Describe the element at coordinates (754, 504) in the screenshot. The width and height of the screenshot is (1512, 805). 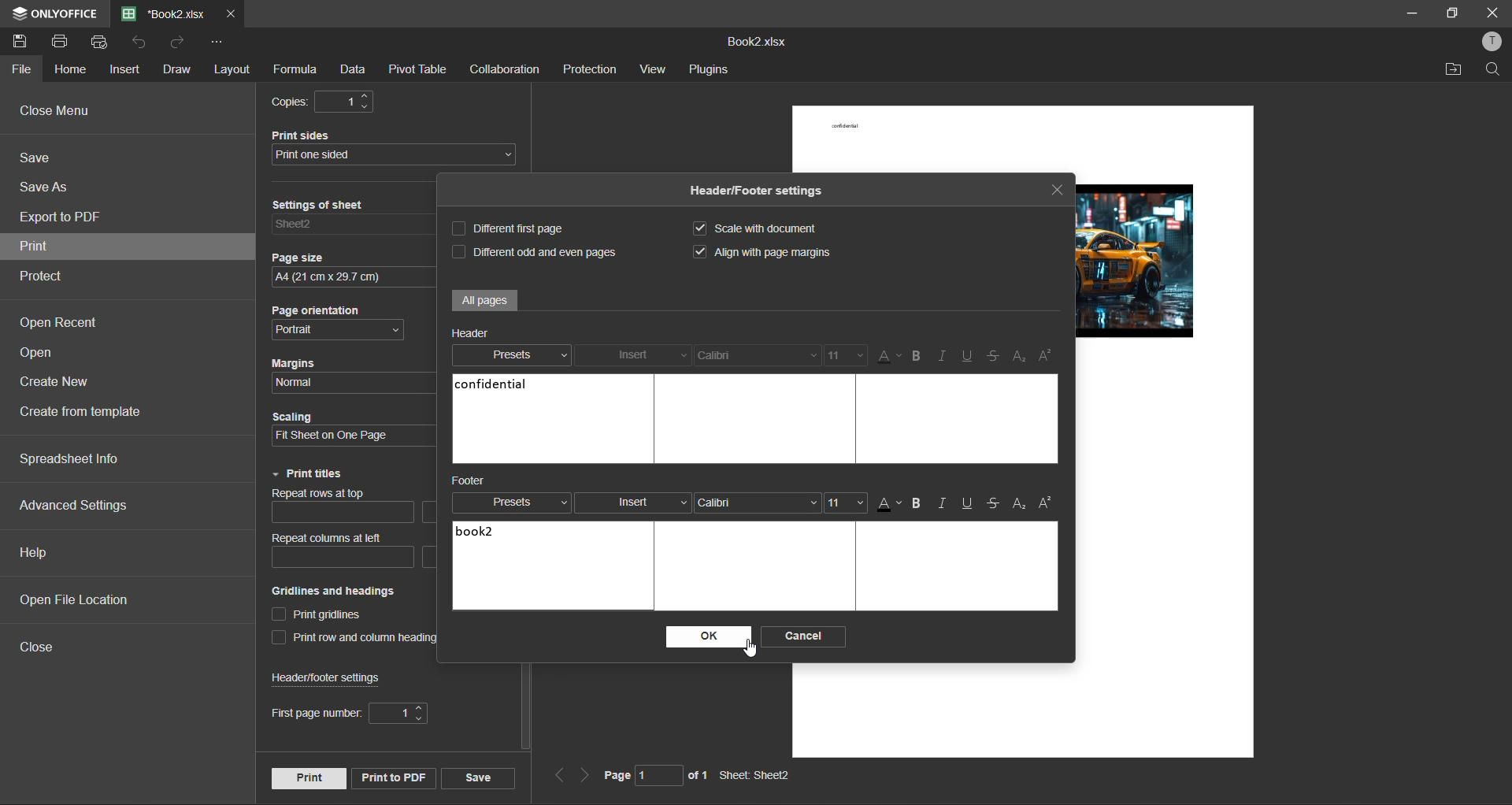
I see `font style` at that location.